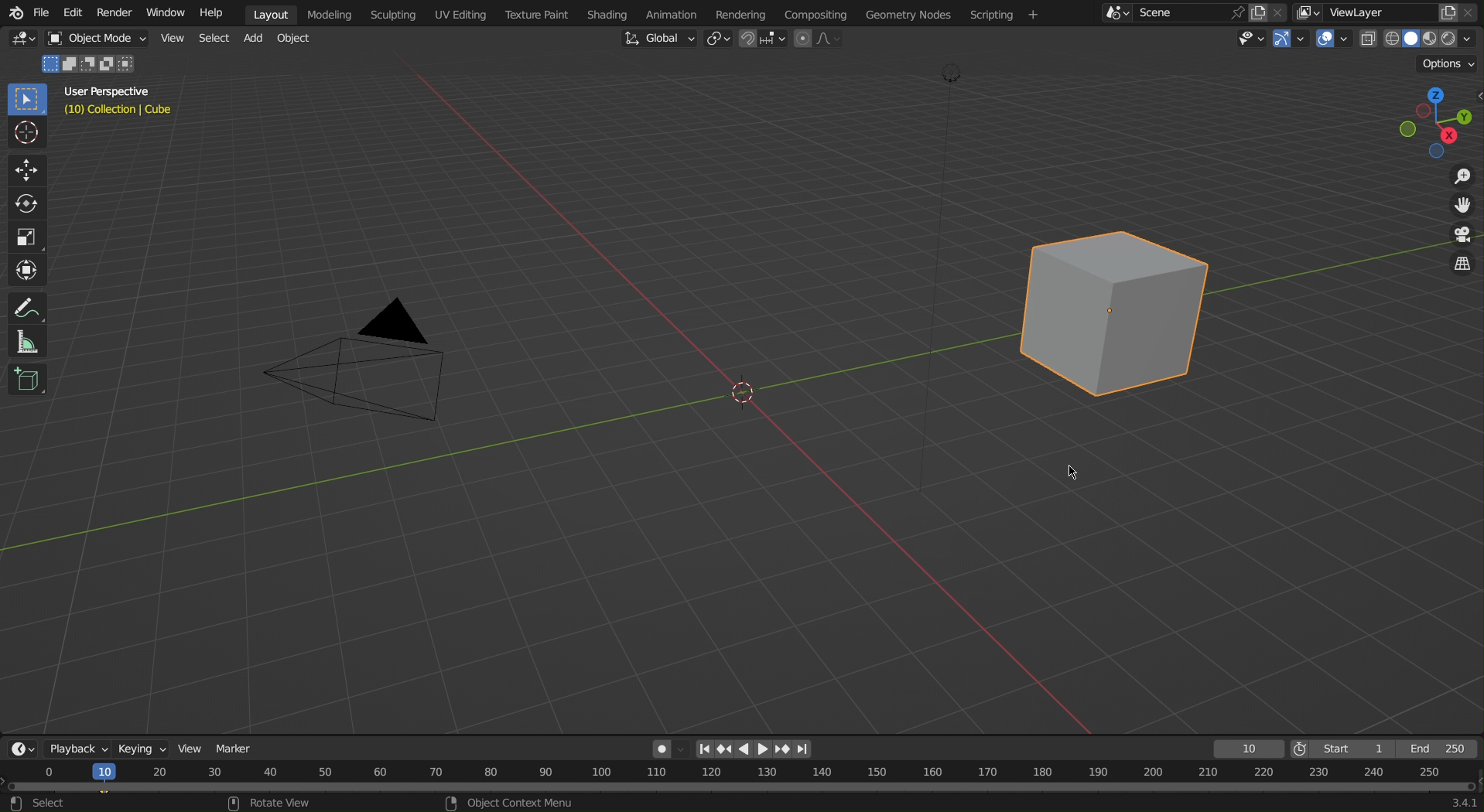 This screenshot has height=812, width=1484. What do you see at coordinates (1431, 118) in the screenshot?
I see `Viewport` at bounding box center [1431, 118].